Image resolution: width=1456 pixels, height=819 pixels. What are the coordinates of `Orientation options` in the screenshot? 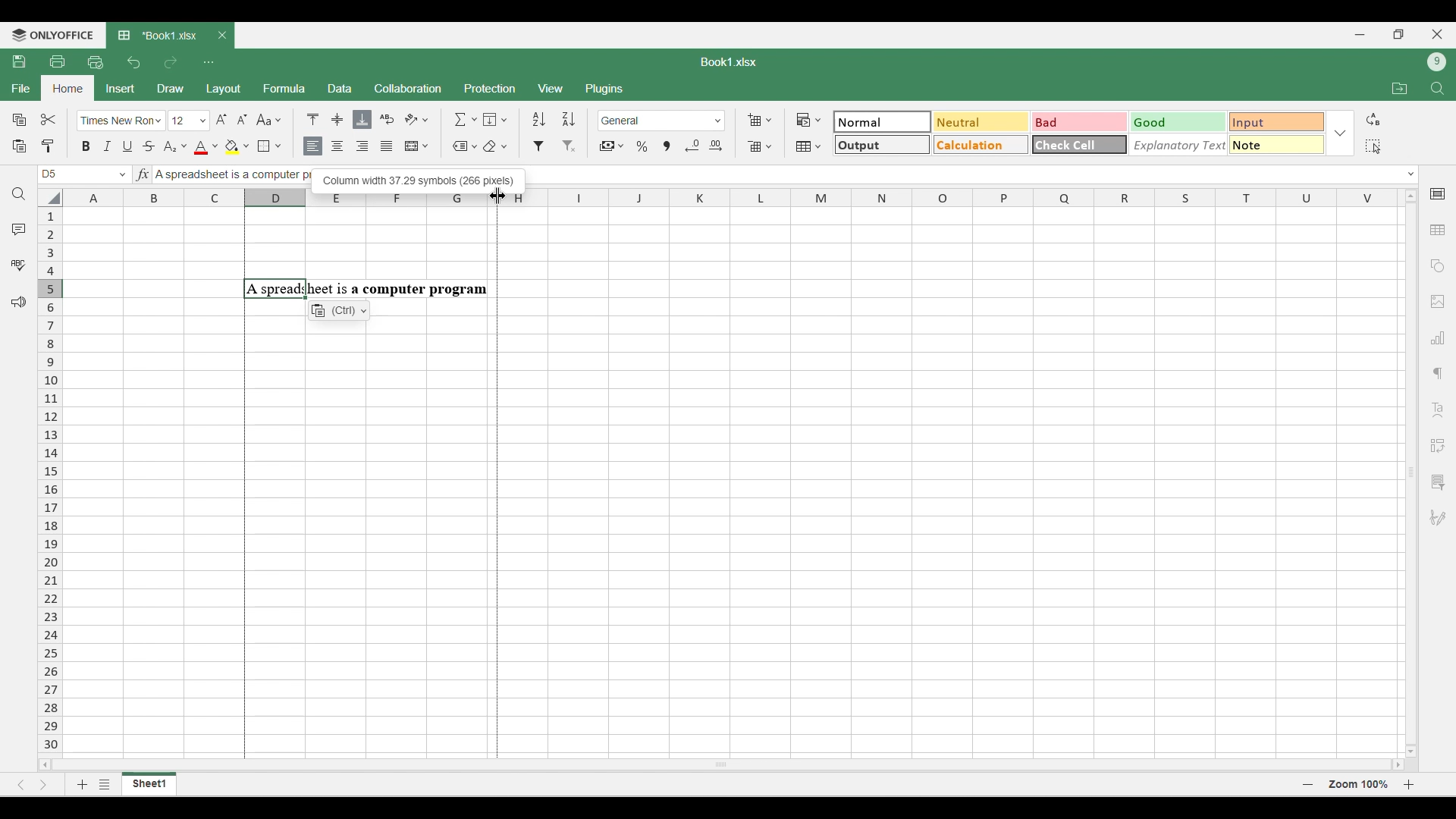 It's located at (417, 119).